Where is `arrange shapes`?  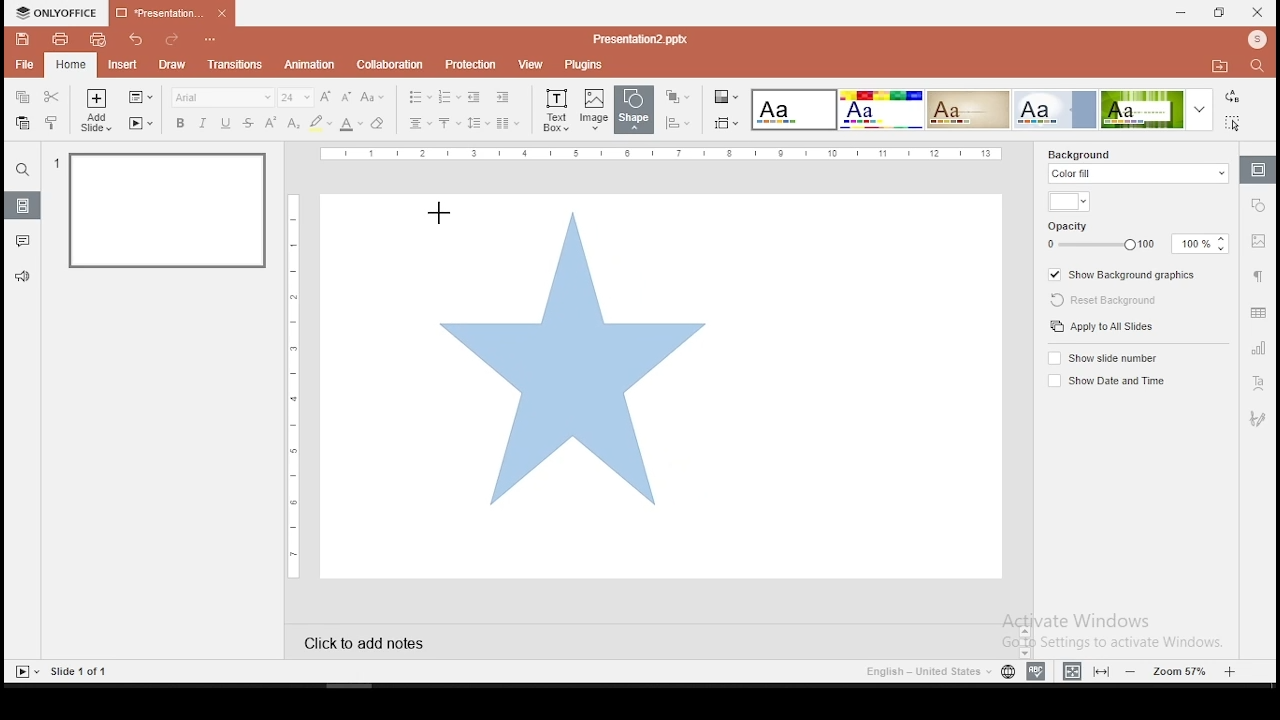 arrange shapes is located at coordinates (676, 97).